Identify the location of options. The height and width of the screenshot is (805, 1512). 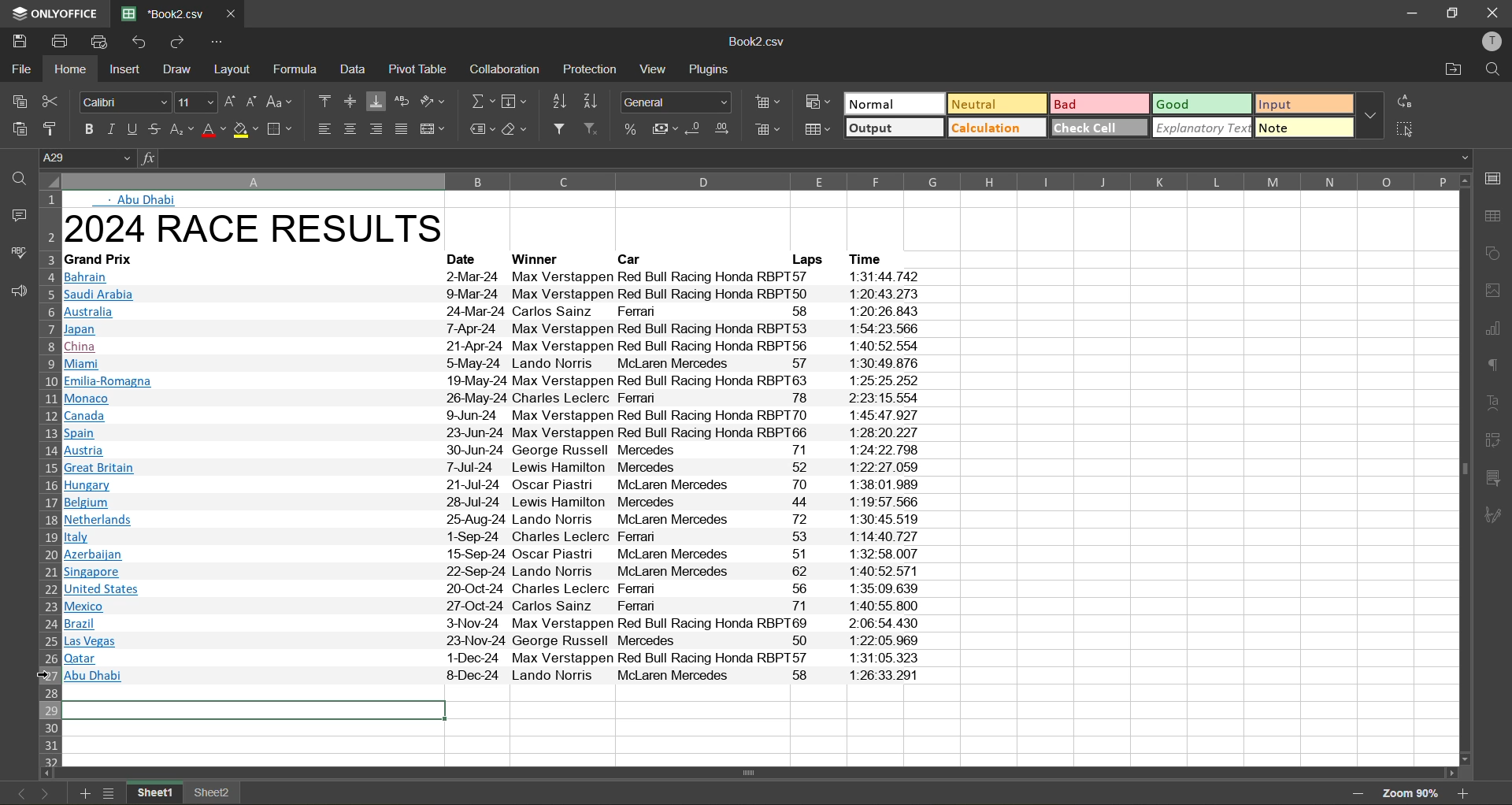
(217, 43).